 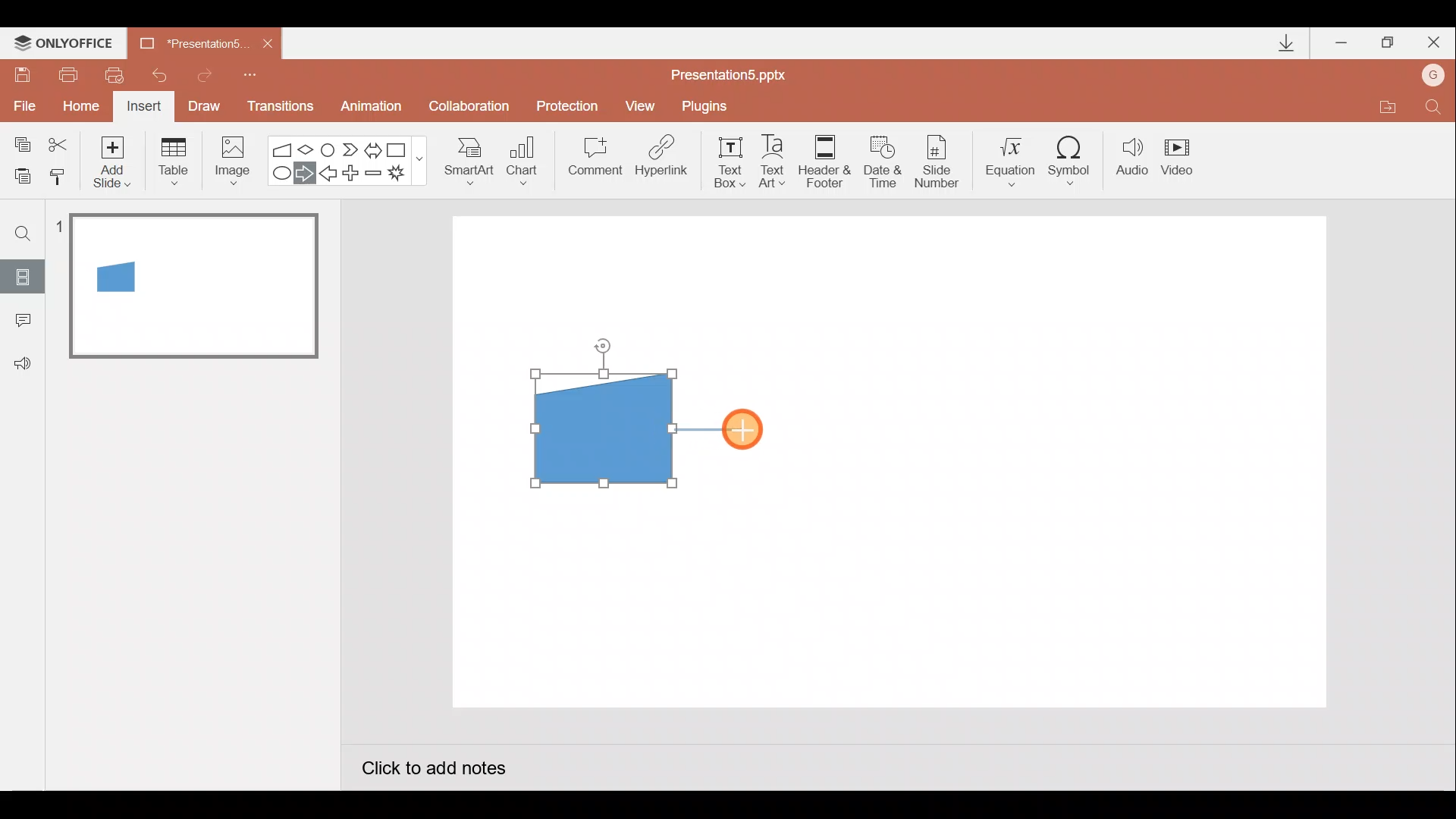 What do you see at coordinates (228, 160) in the screenshot?
I see `Image` at bounding box center [228, 160].